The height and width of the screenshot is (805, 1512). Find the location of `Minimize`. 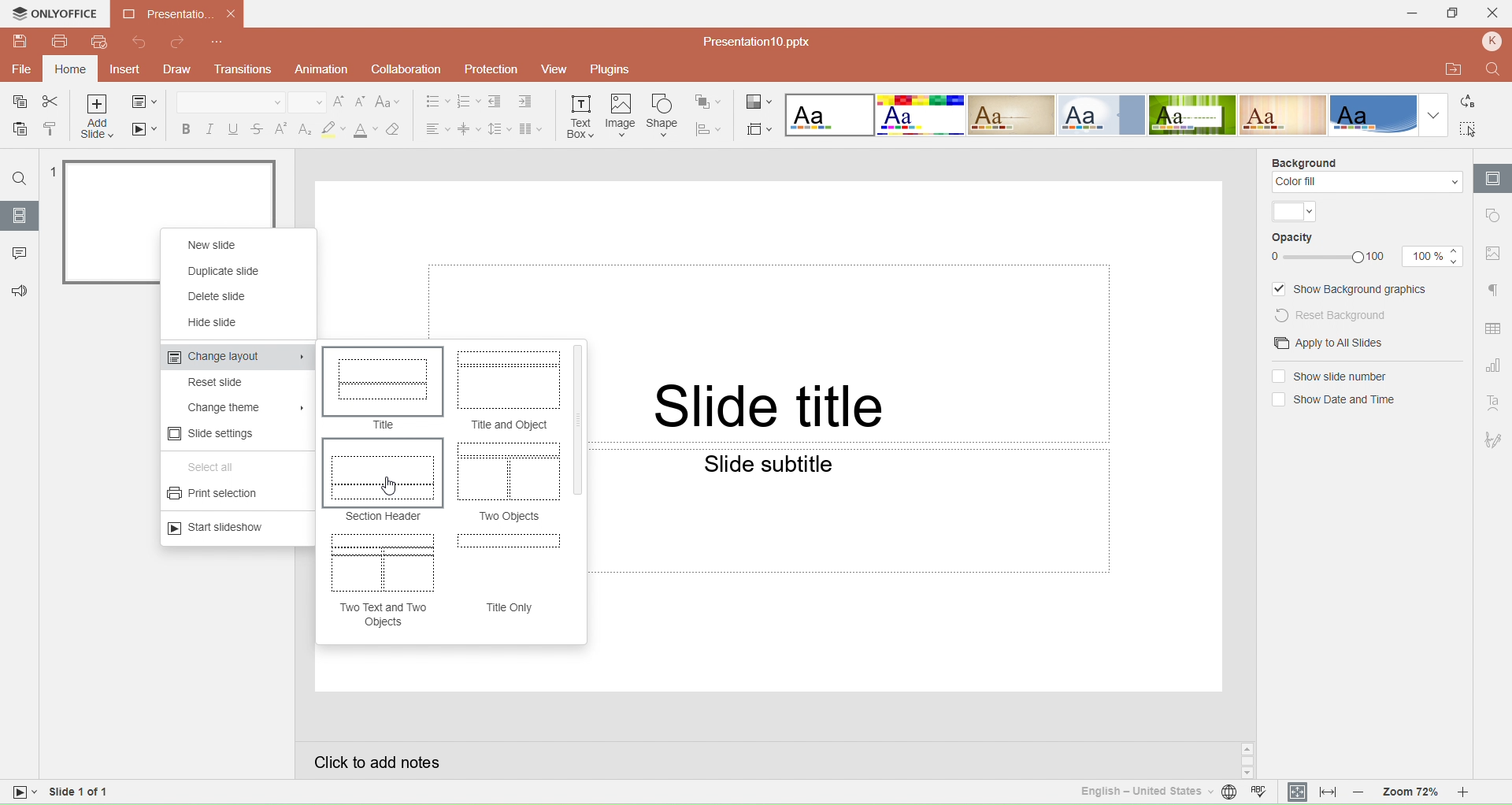

Minimize is located at coordinates (1407, 13).